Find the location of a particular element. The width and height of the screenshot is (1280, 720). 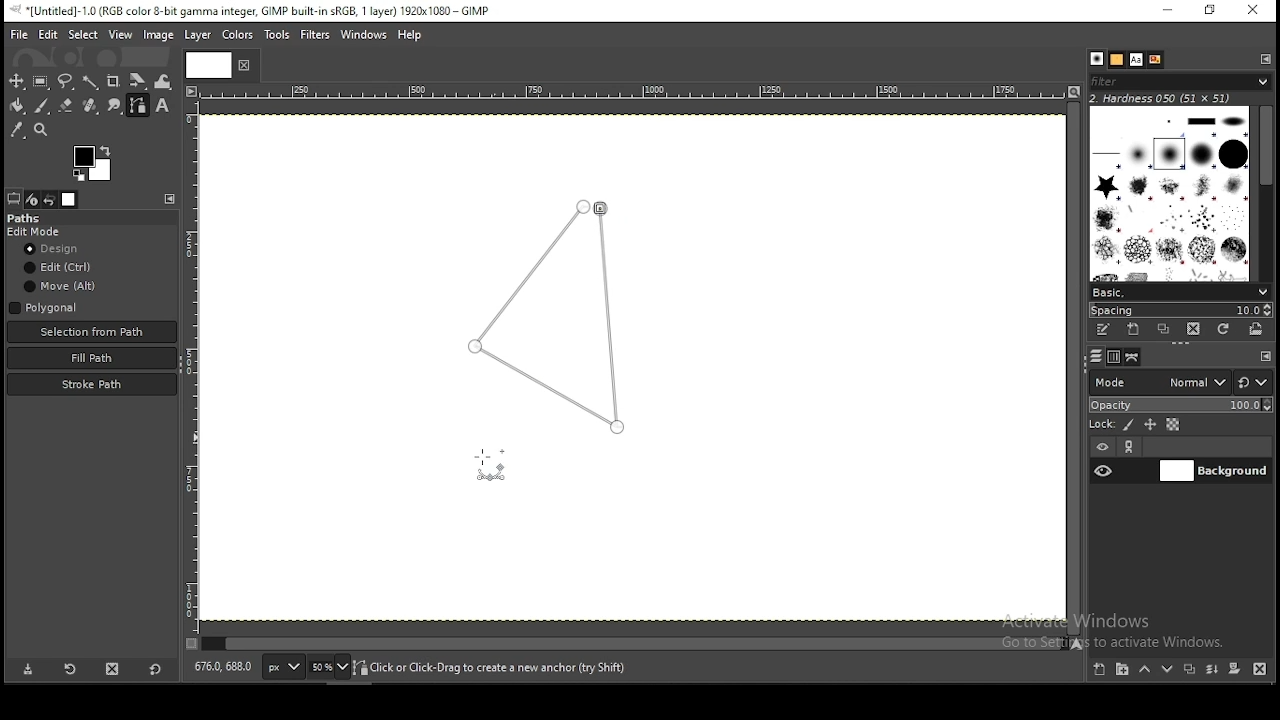

zoom tool is located at coordinates (42, 129).